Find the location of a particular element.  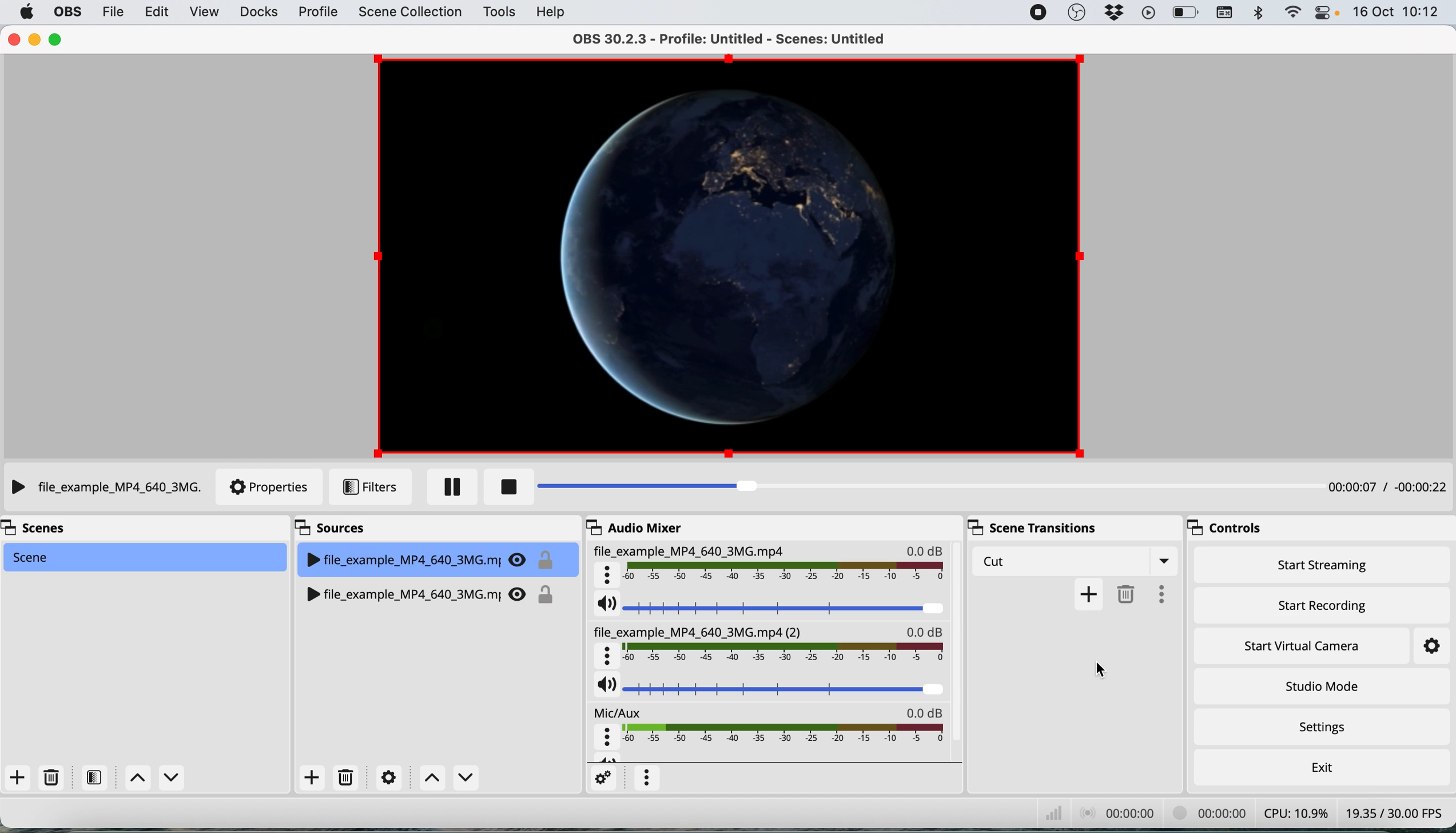

cursor is located at coordinates (1100, 671).